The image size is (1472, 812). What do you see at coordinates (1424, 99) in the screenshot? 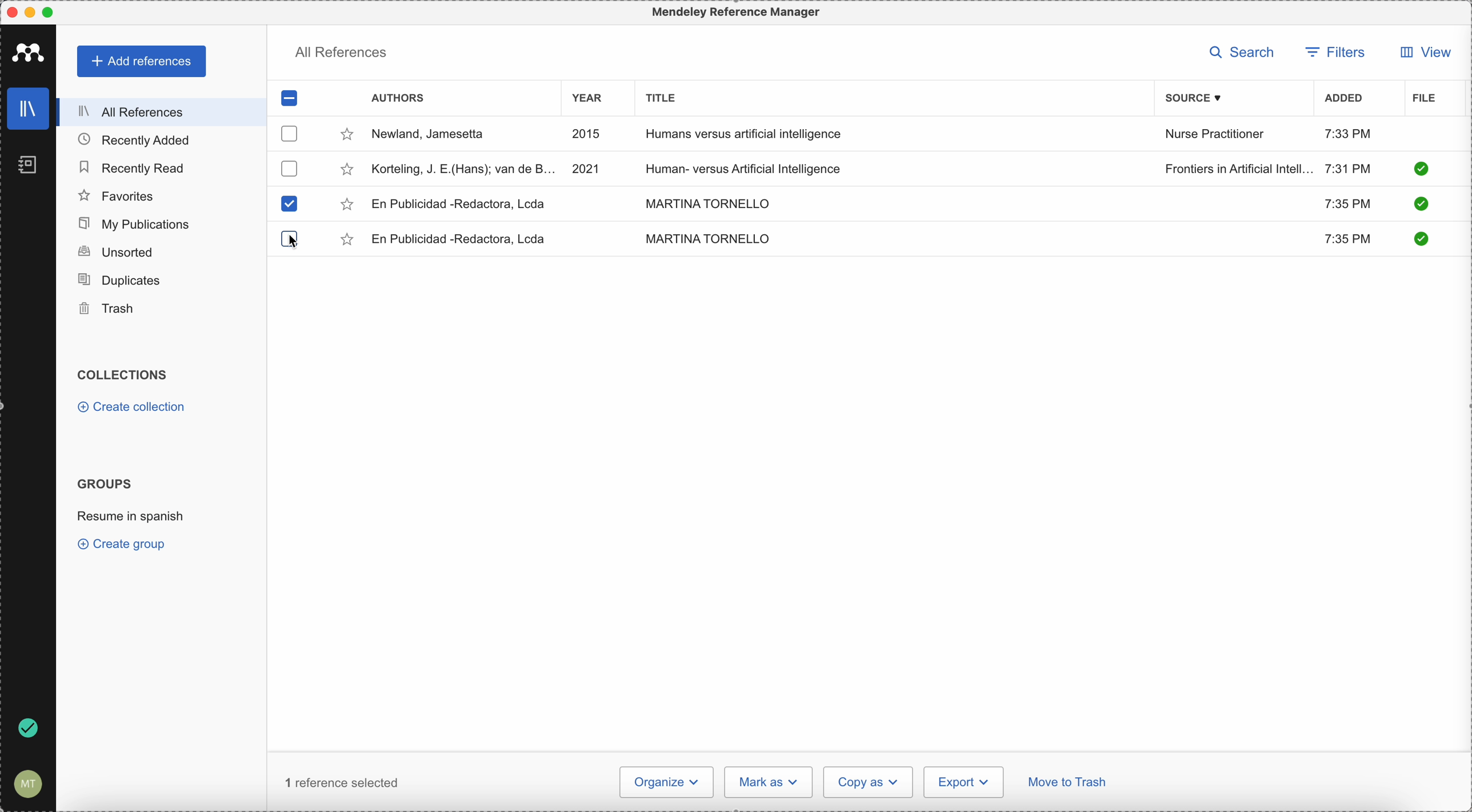
I see `file` at bounding box center [1424, 99].